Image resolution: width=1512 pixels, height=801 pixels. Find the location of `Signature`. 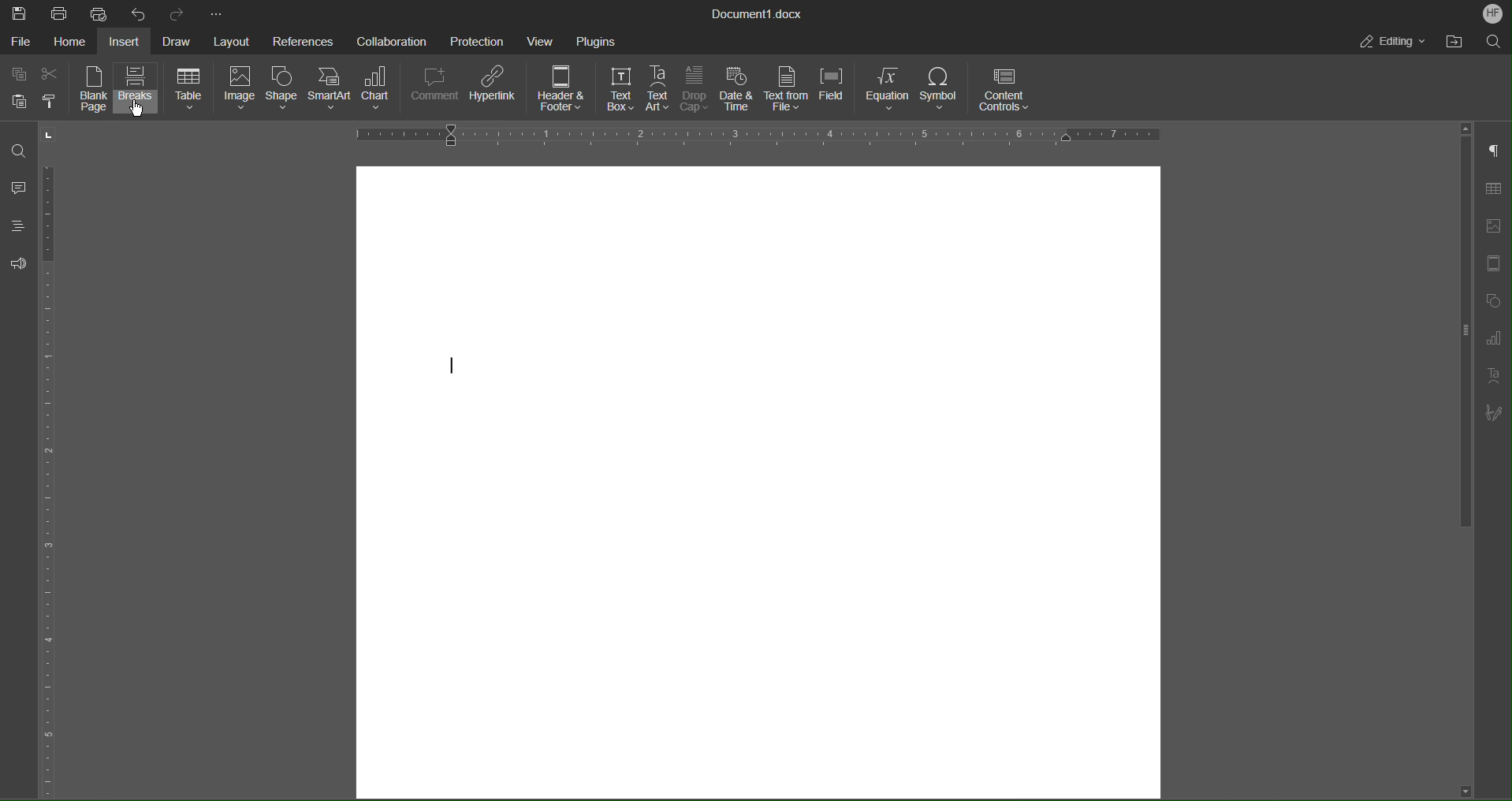

Signature is located at coordinates (1493, 413).